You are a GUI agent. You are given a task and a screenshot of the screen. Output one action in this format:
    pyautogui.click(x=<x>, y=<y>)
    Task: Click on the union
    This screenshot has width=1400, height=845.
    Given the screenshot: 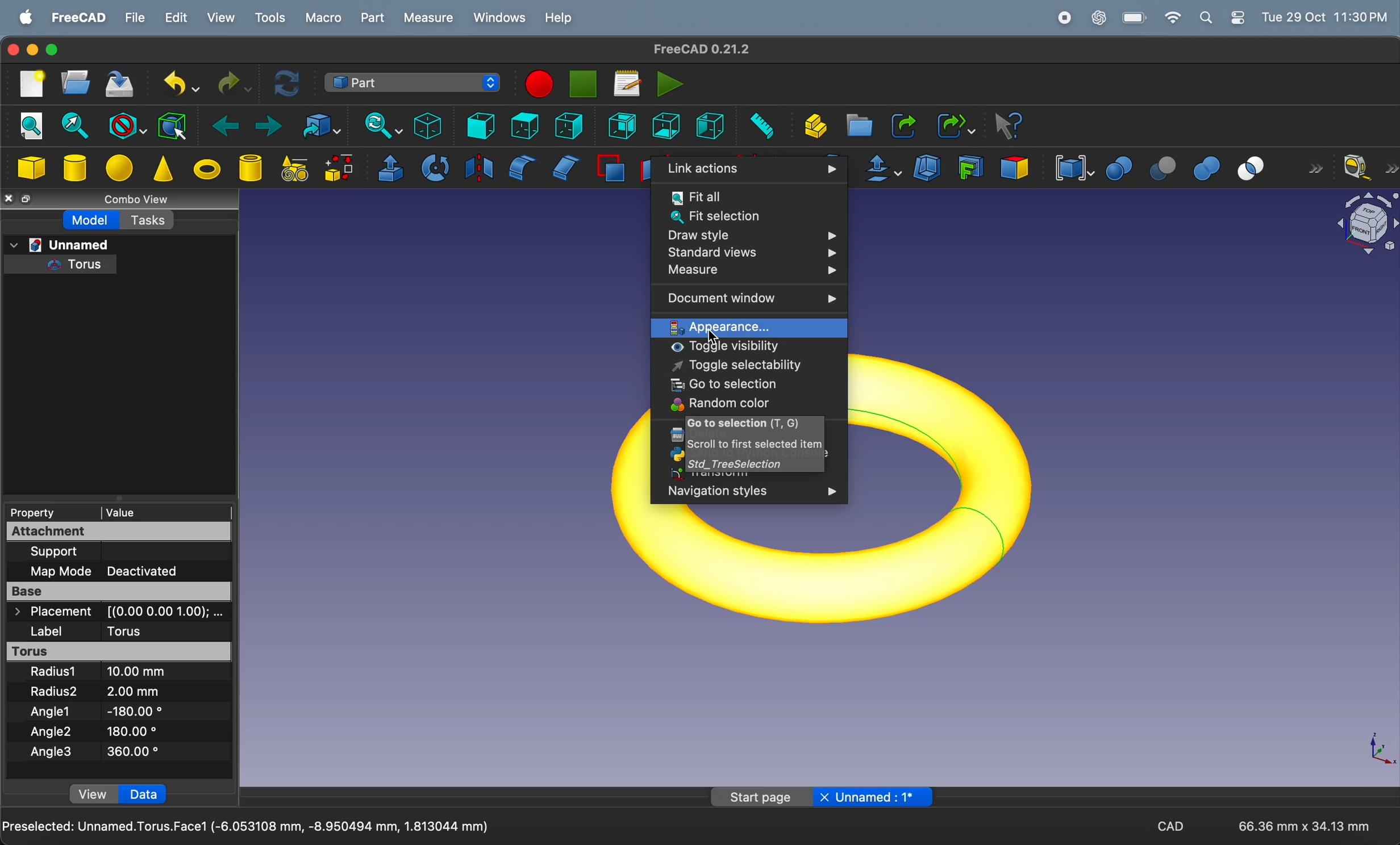 What is the action you would take?
    pyautogui.click(x=1205, y=166)
    